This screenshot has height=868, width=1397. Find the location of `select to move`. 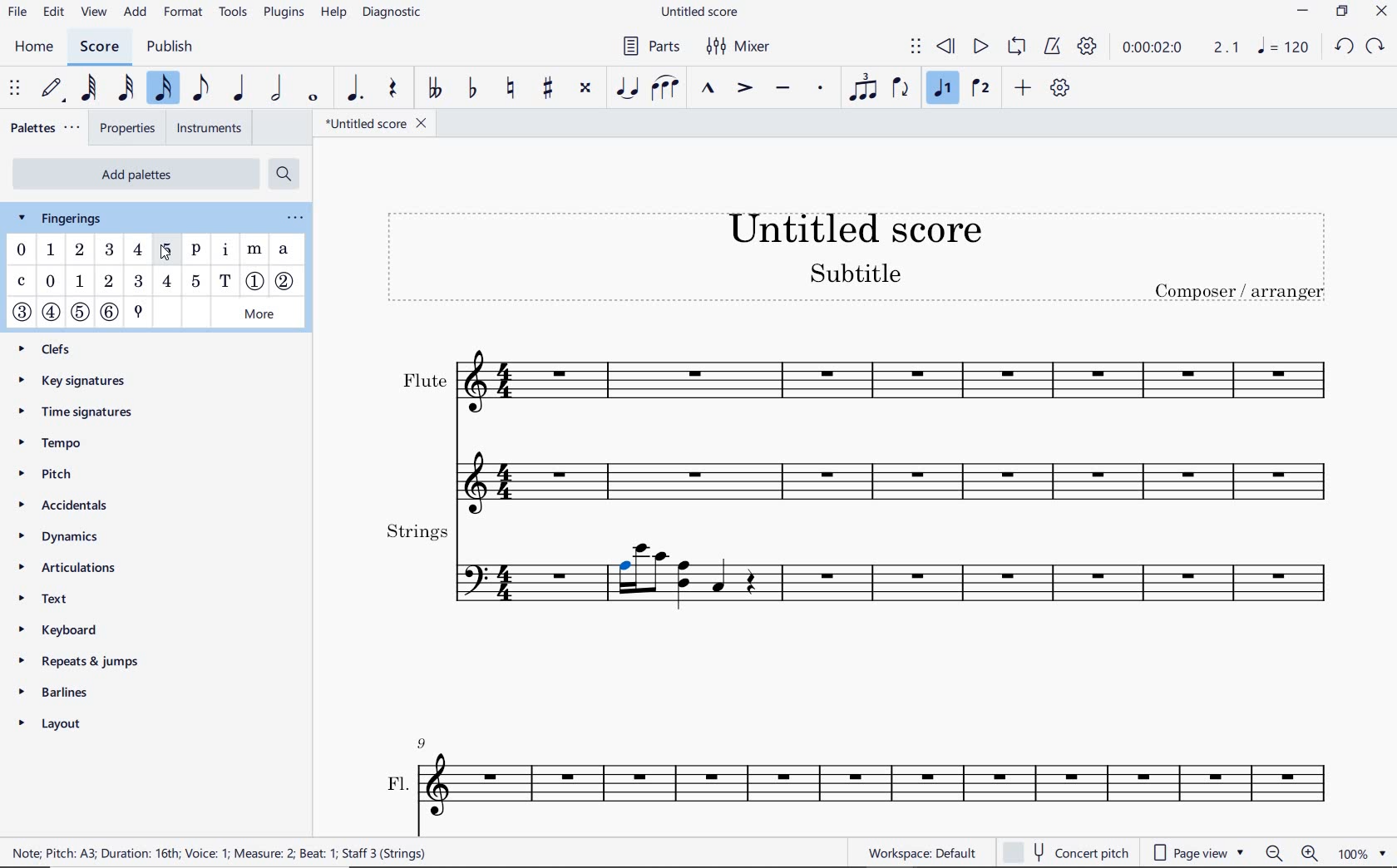

select to move is located at coordinates (14, 86).